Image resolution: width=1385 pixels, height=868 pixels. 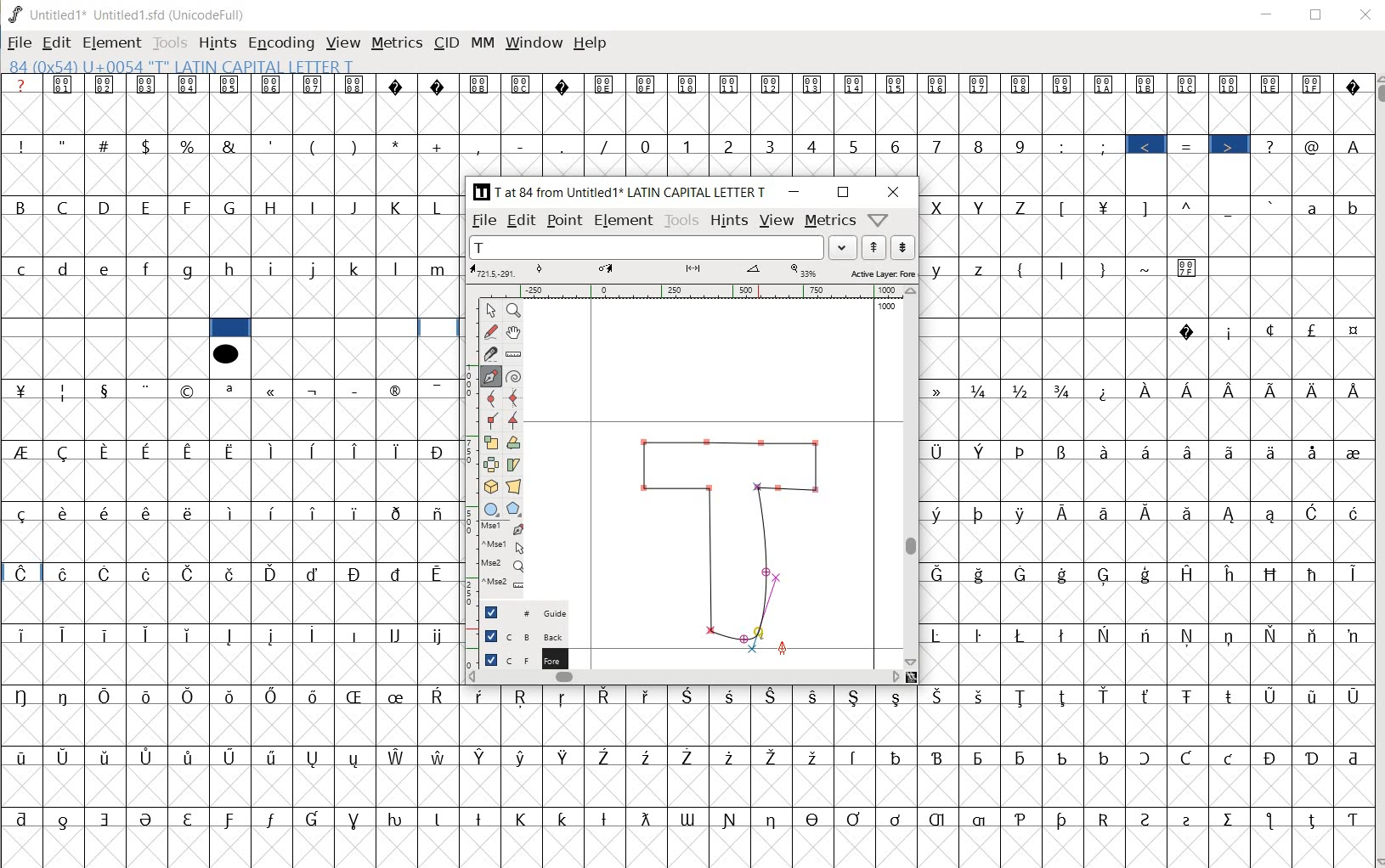 I want to click on Symbol, so click(x=1350, y=635).